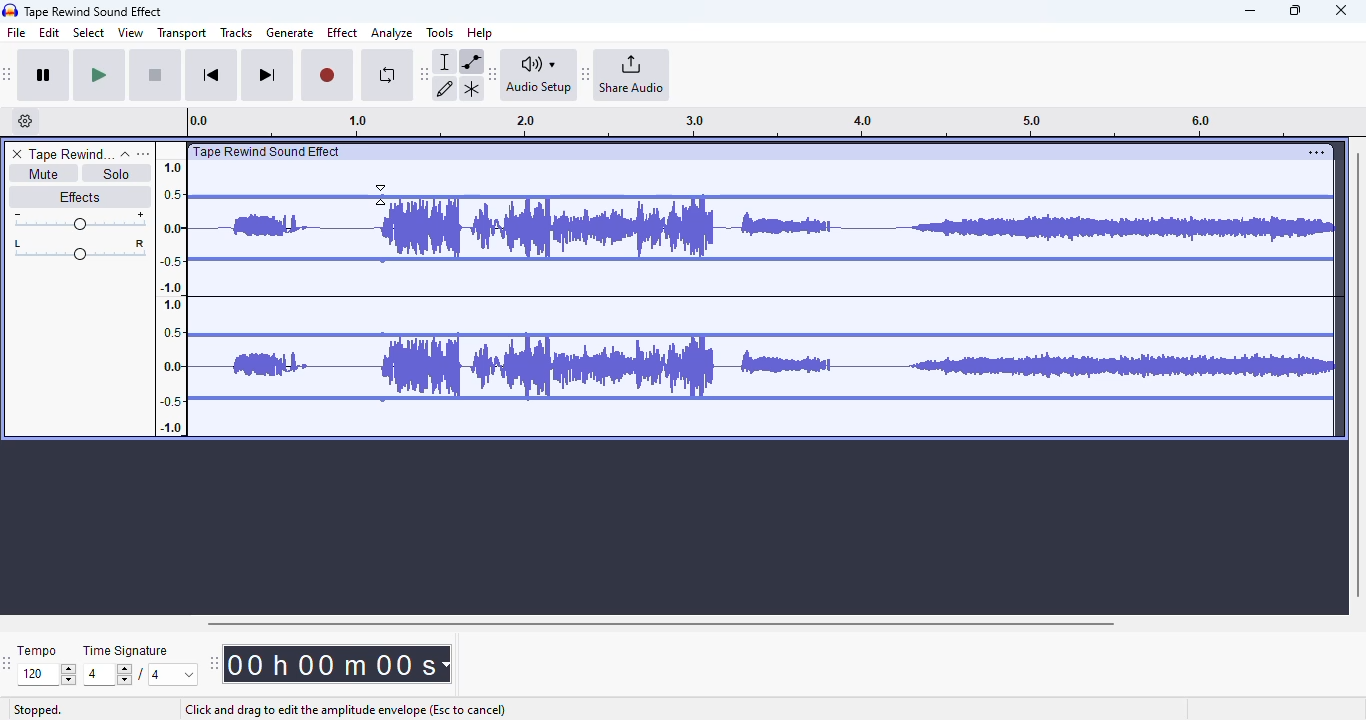 The height and width of the screenshot is (720, 1366). What do you see at coordinates (660, 623) in the screenshot?
I see `horizontal scroll bar` at bounding box center [660, 623].